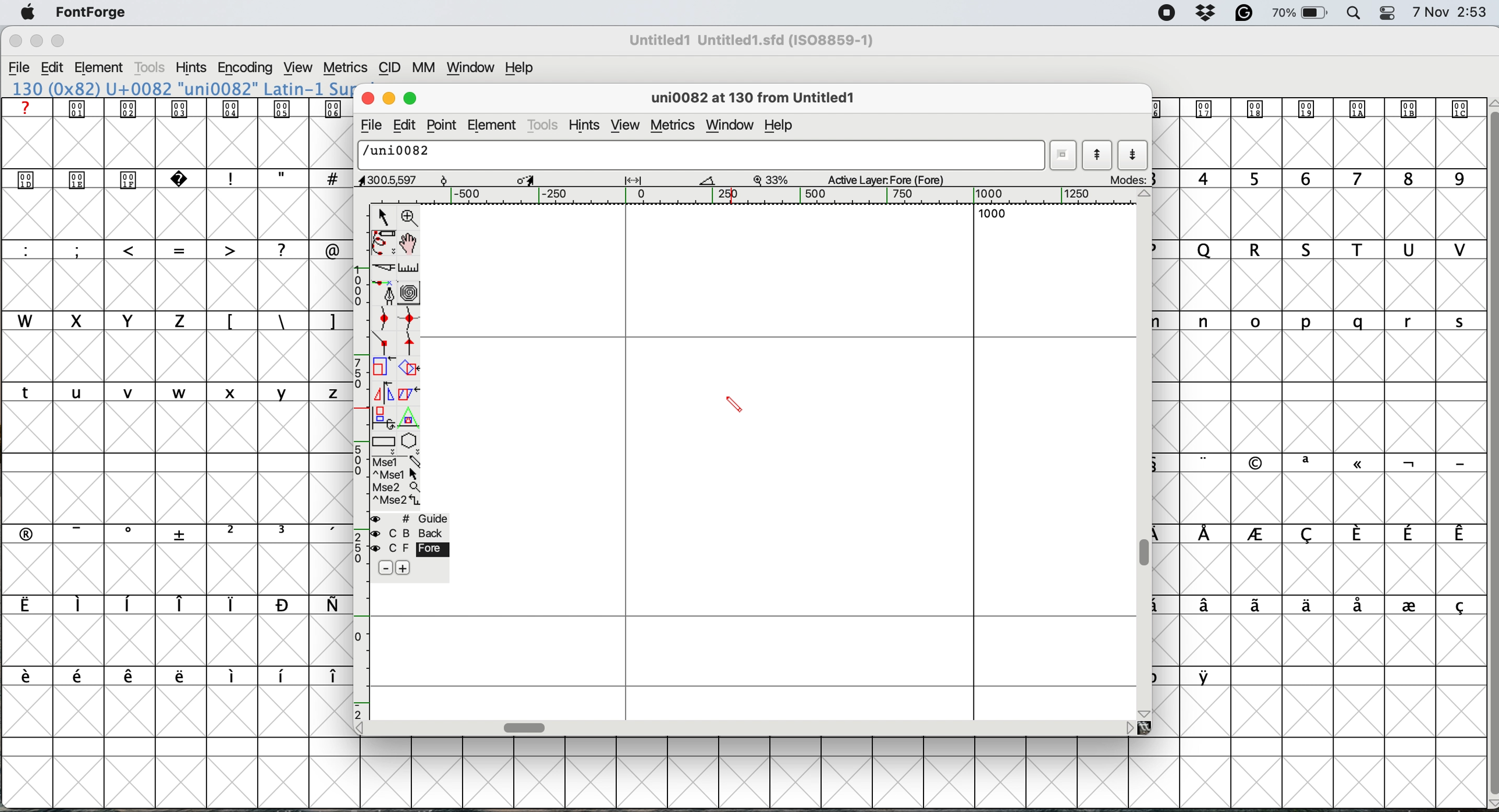  What do you see at coordinates (1148, 552) in the screenshot?
I see `vertical scroll bar` at bounding box center [1148, 552].